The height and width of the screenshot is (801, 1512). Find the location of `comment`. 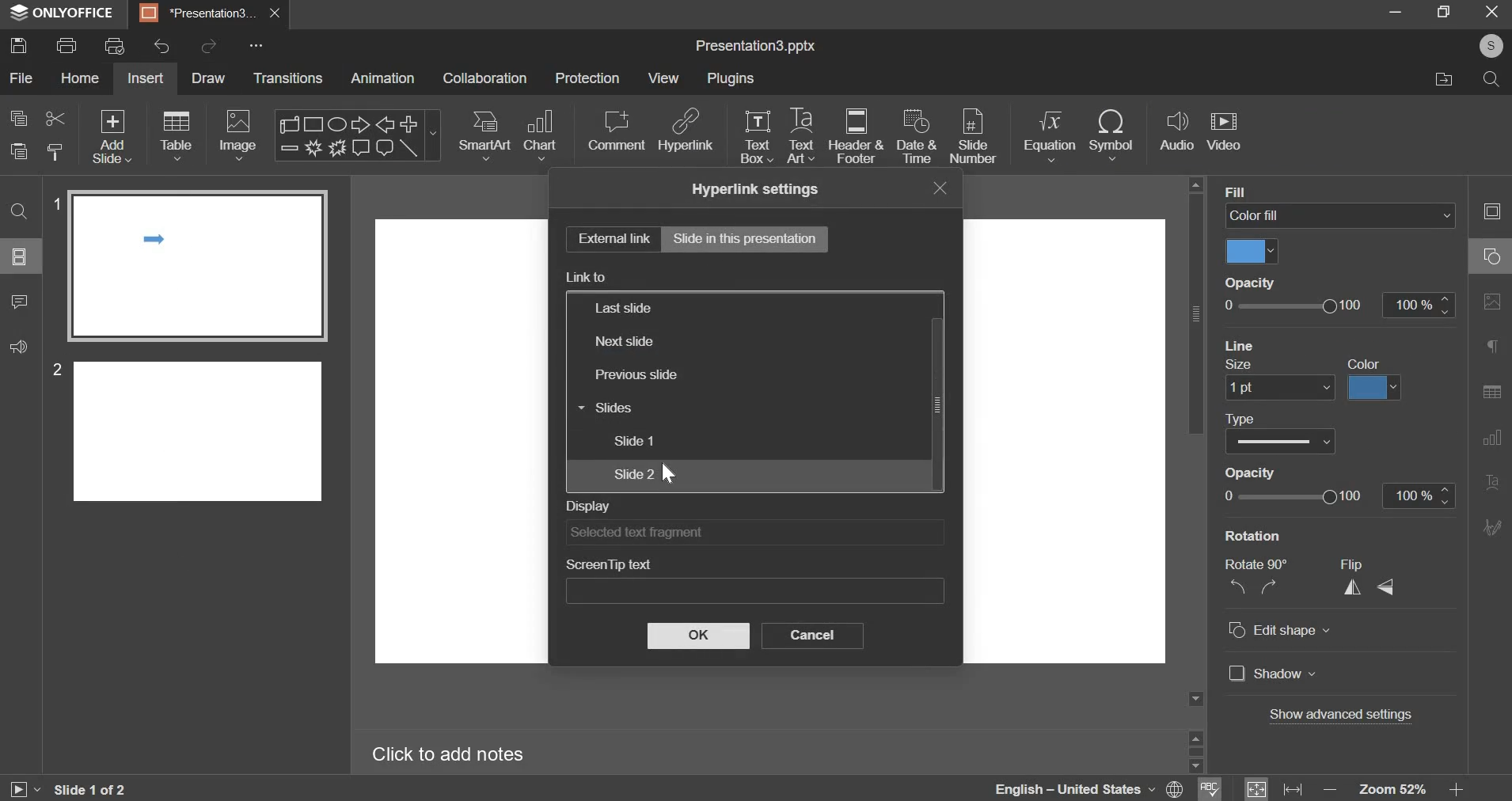

comment is located at coordinates (21, 302).